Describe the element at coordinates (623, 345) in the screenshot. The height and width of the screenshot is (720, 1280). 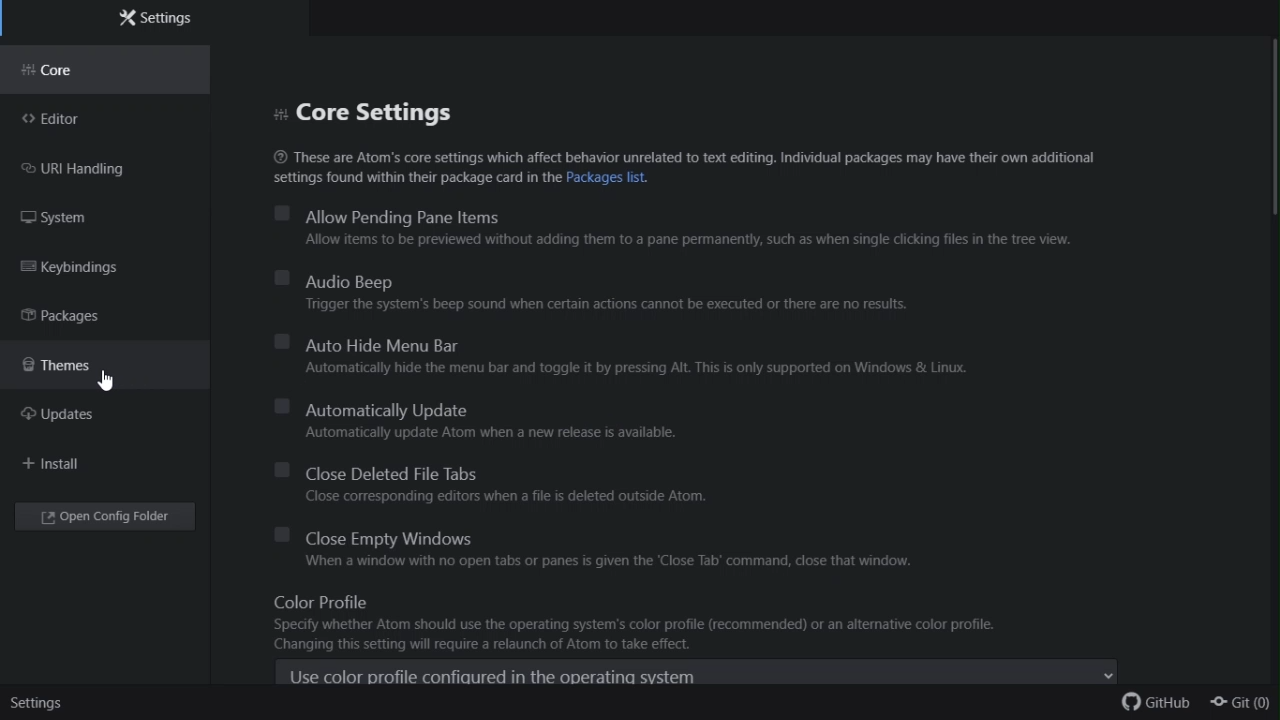
I see `auto Hide menu bar` at that location.